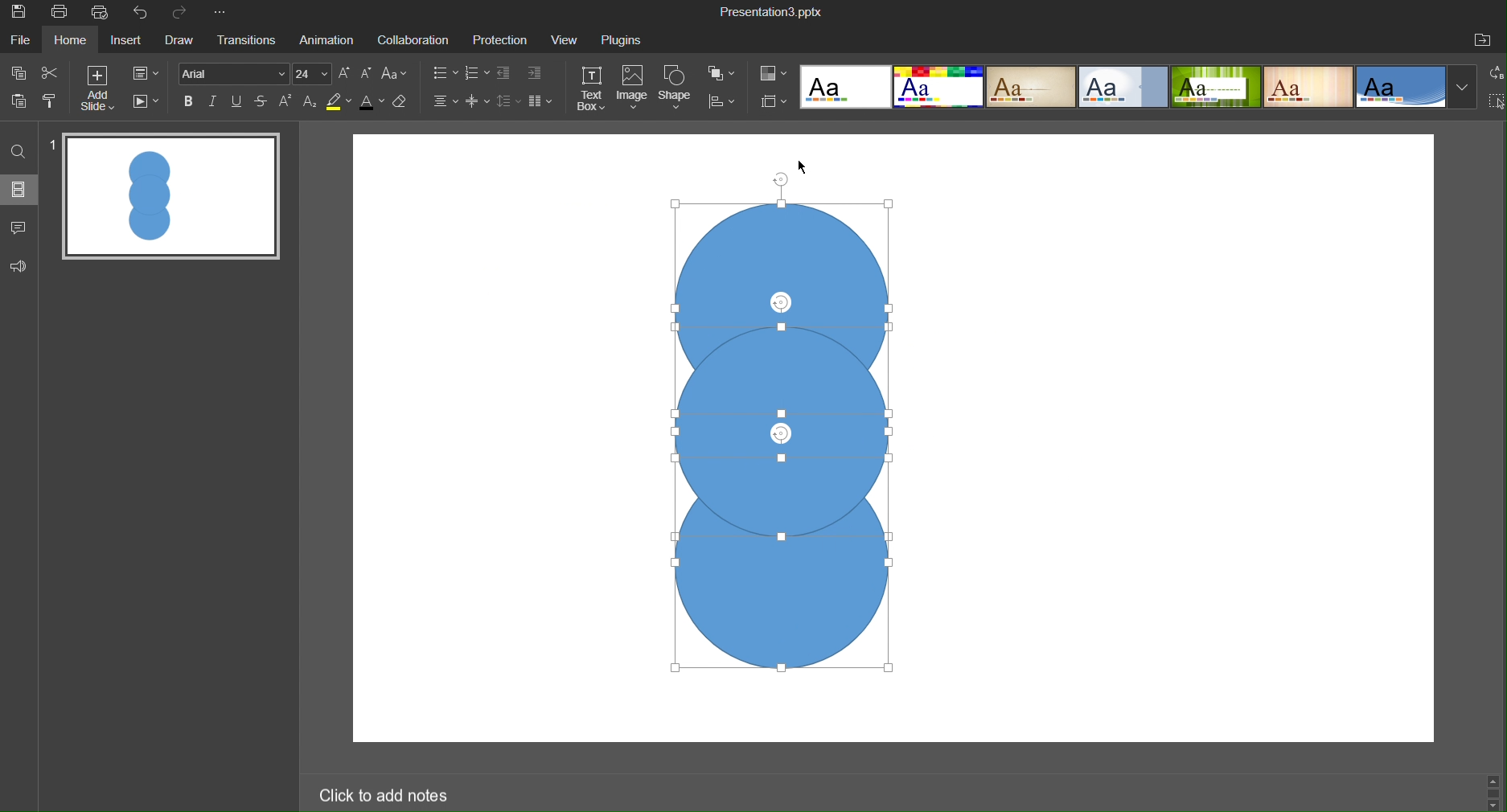  What do you see at coordinates (75, 41) in the screenshot?
I see `Home` at bounding box center [75, 41].